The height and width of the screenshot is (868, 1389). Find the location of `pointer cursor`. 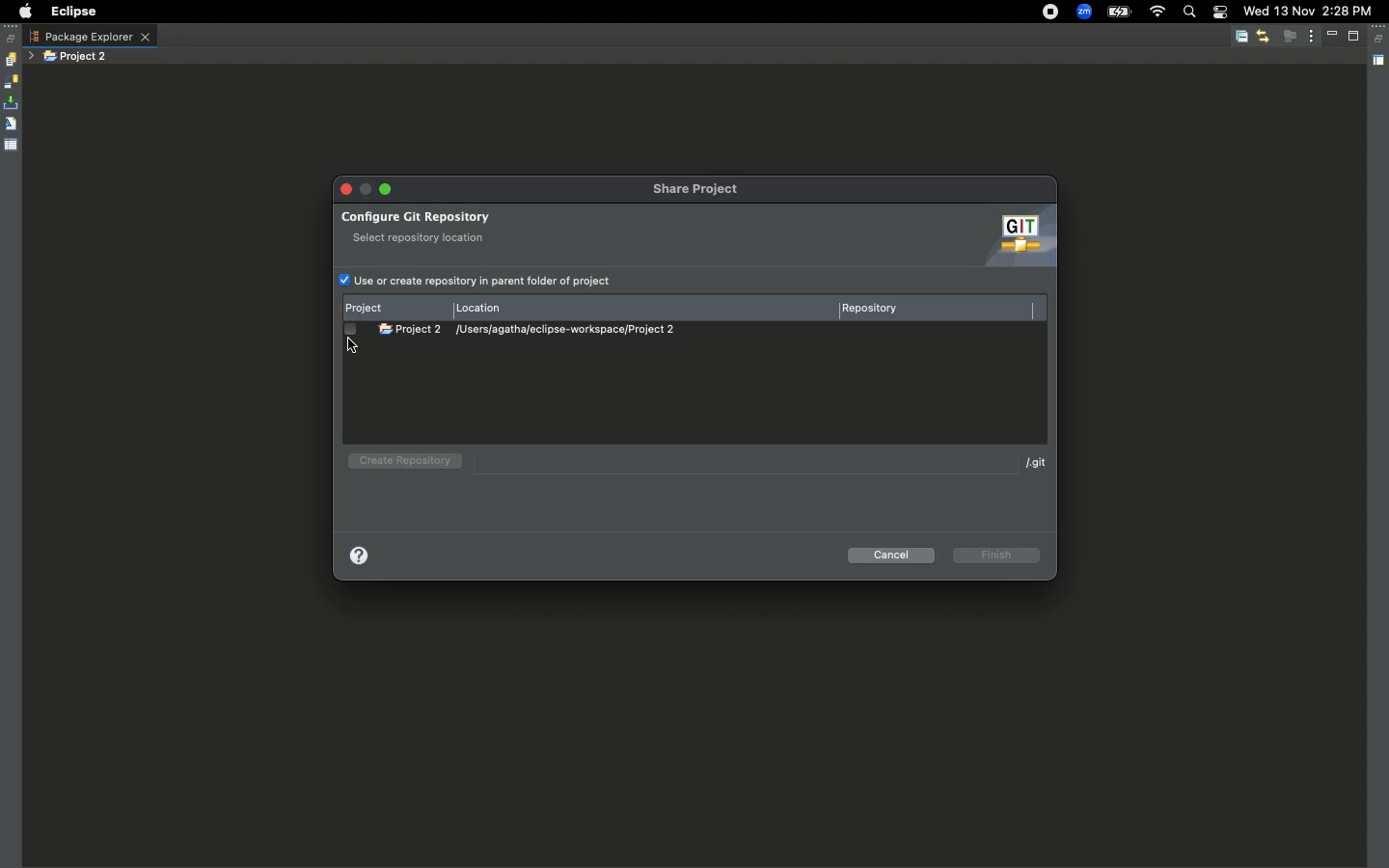

pointer cursor is located at coordinates (350, 344).